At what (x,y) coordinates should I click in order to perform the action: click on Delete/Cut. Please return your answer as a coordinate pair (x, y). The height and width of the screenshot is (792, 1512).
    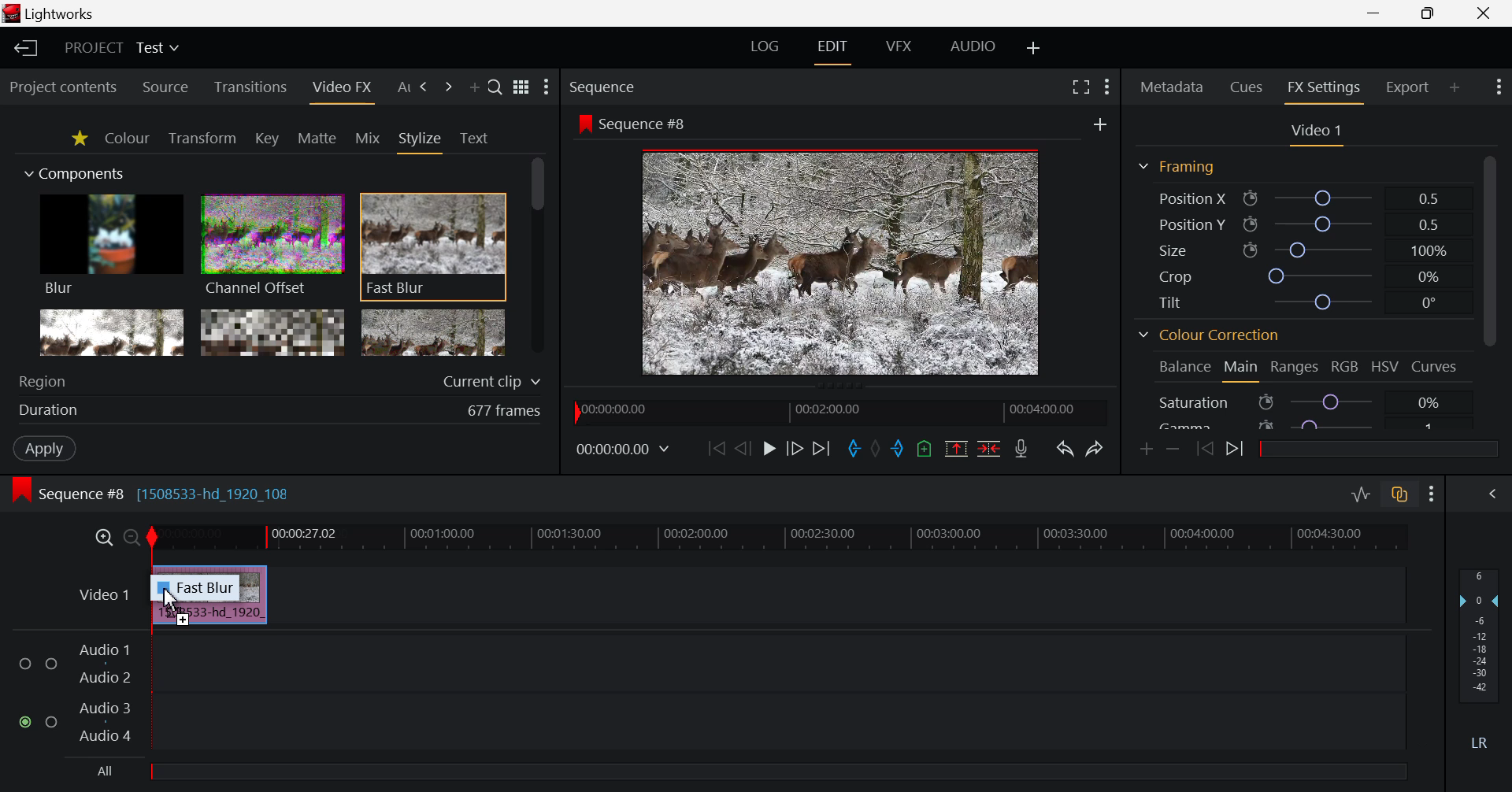
    Looking at the image, I should click on (991, 449).